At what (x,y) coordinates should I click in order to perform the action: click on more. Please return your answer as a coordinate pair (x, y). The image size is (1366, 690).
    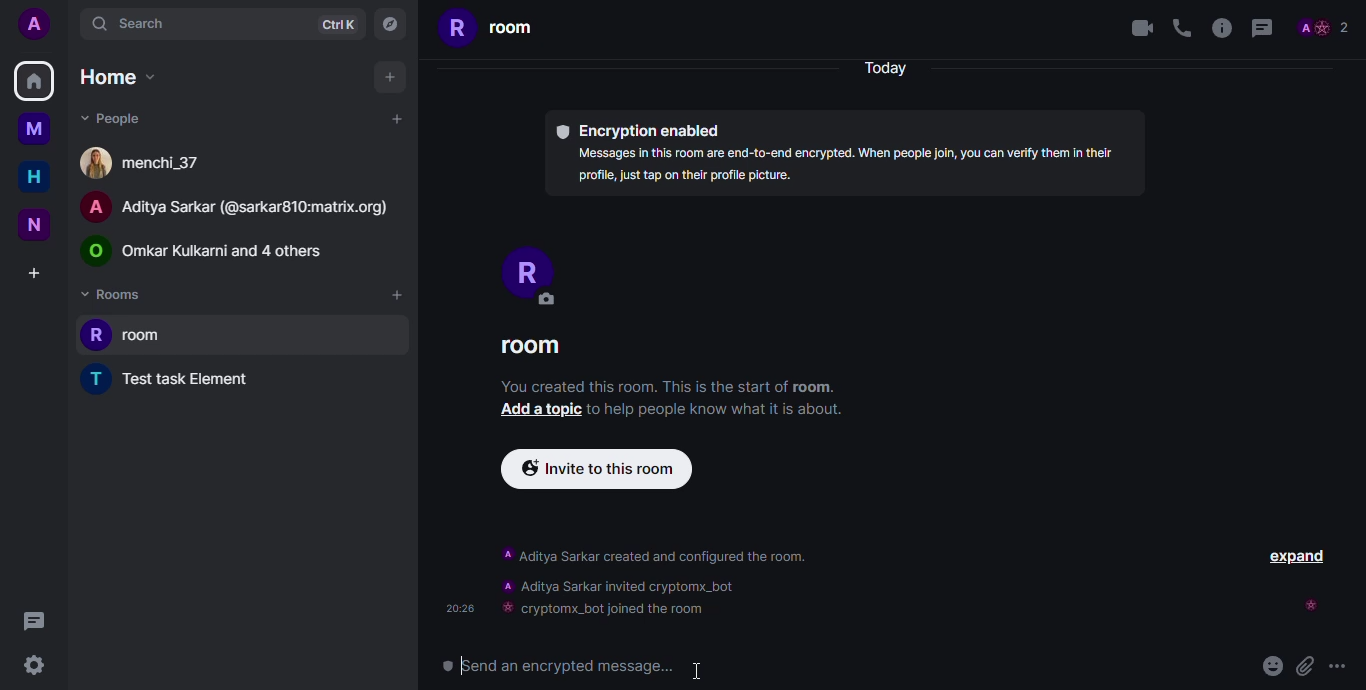
    Looking at the image, I should click on (1344, 662).